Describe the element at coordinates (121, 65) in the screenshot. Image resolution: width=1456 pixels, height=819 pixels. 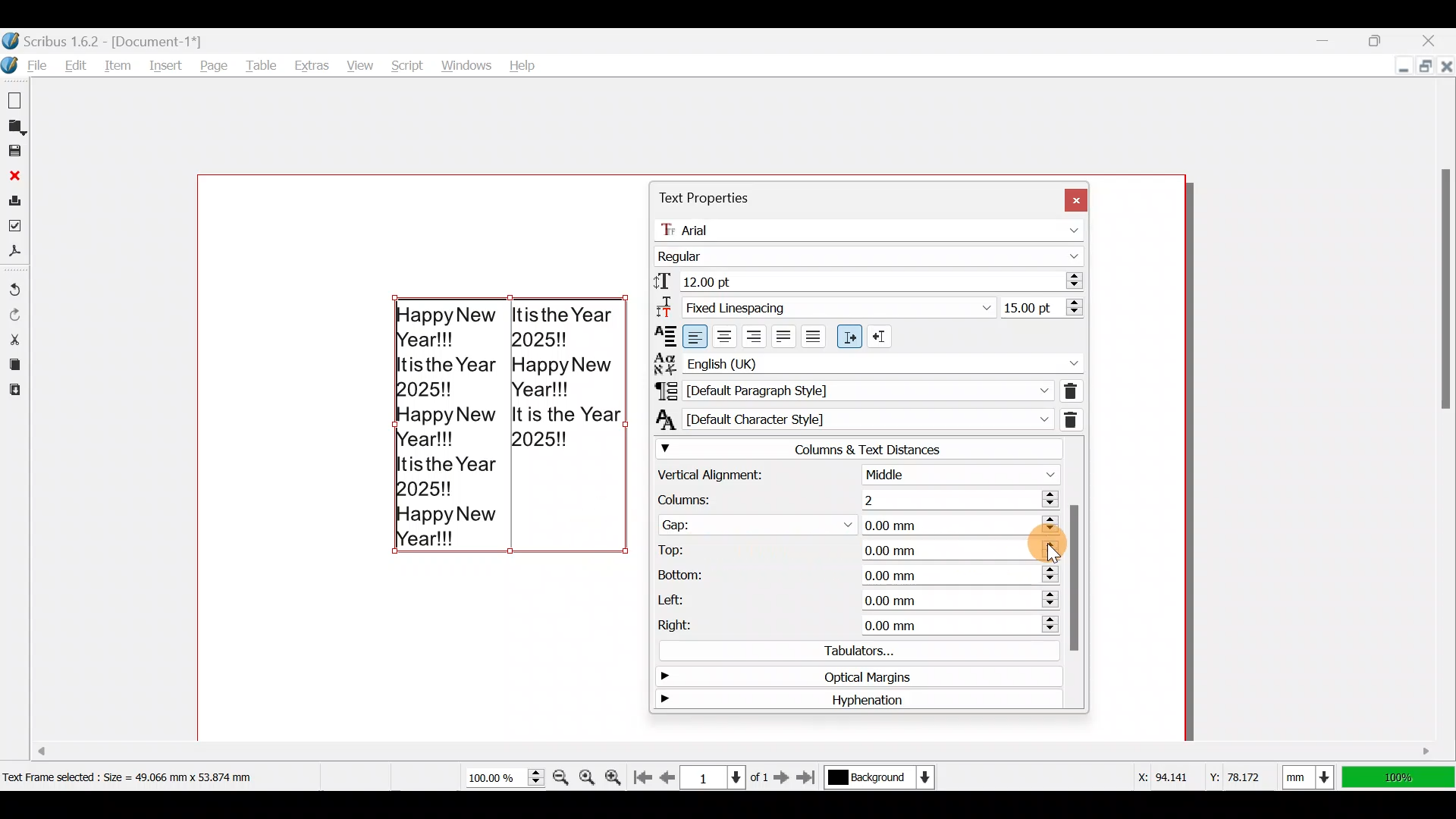
I see `Item` at that location.